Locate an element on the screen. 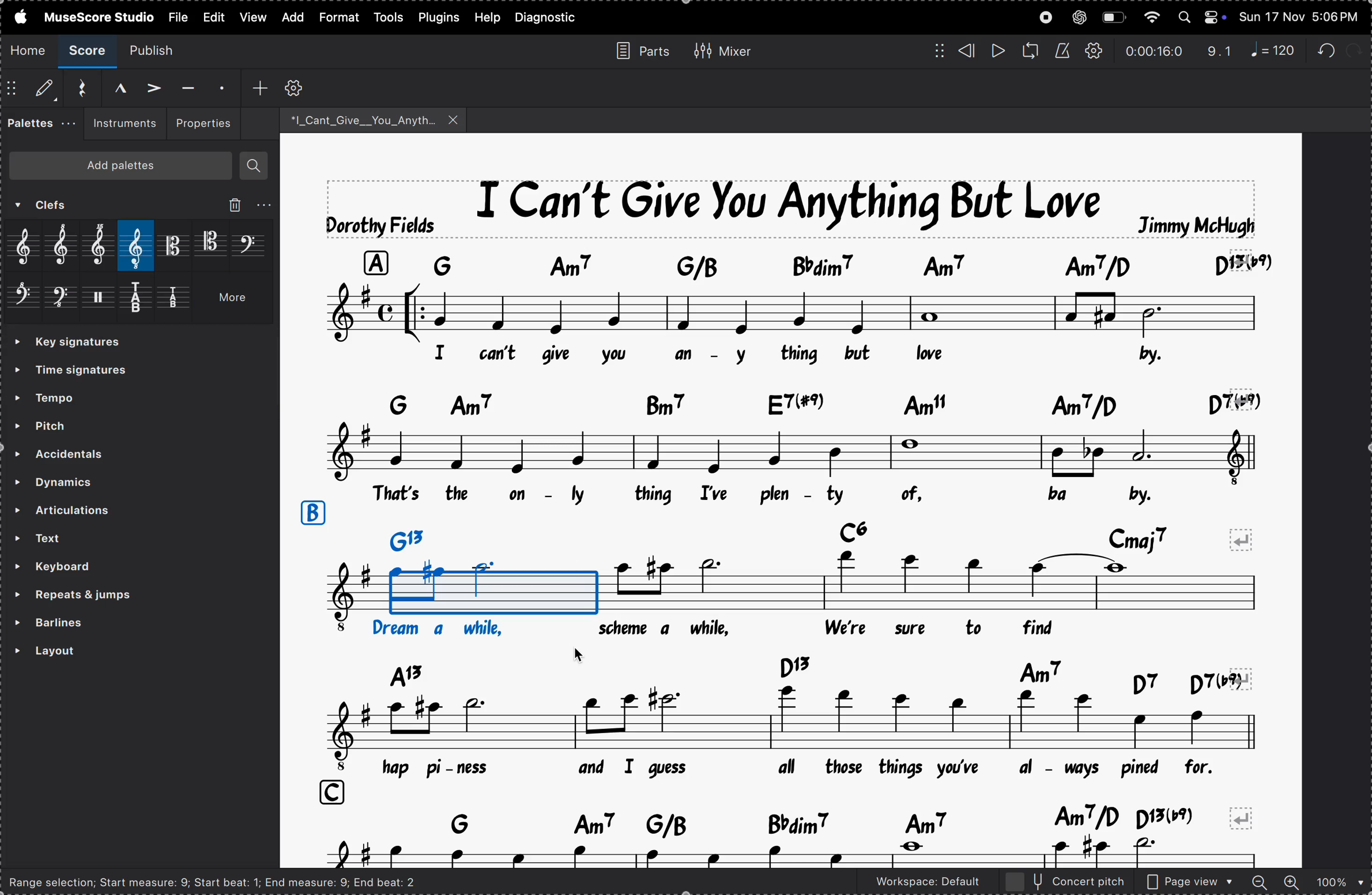  Clefs is located at coordinates (89, 206).